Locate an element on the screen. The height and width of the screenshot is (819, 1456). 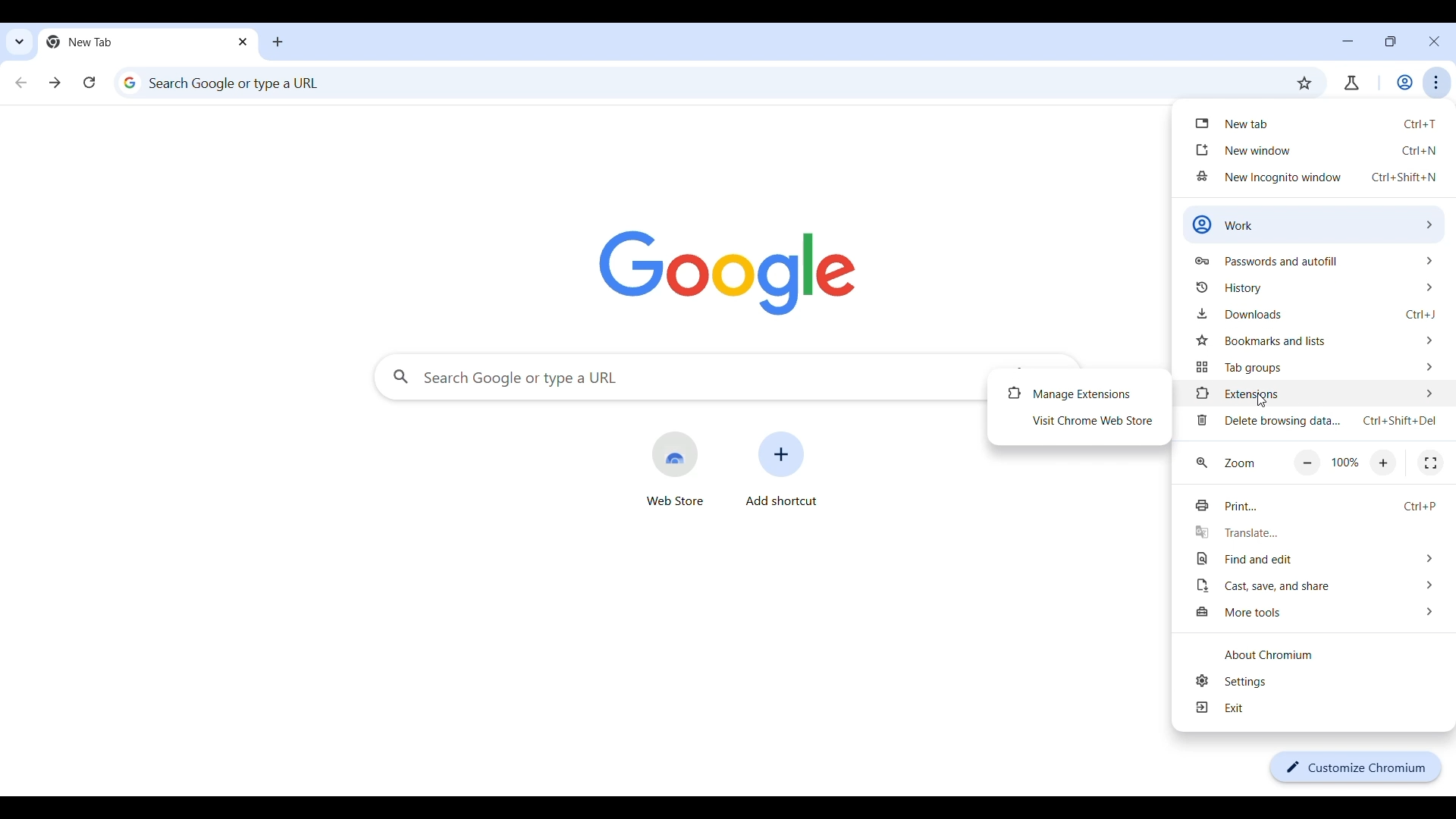
Delete browsing data is located at coordinates (1316, 420).